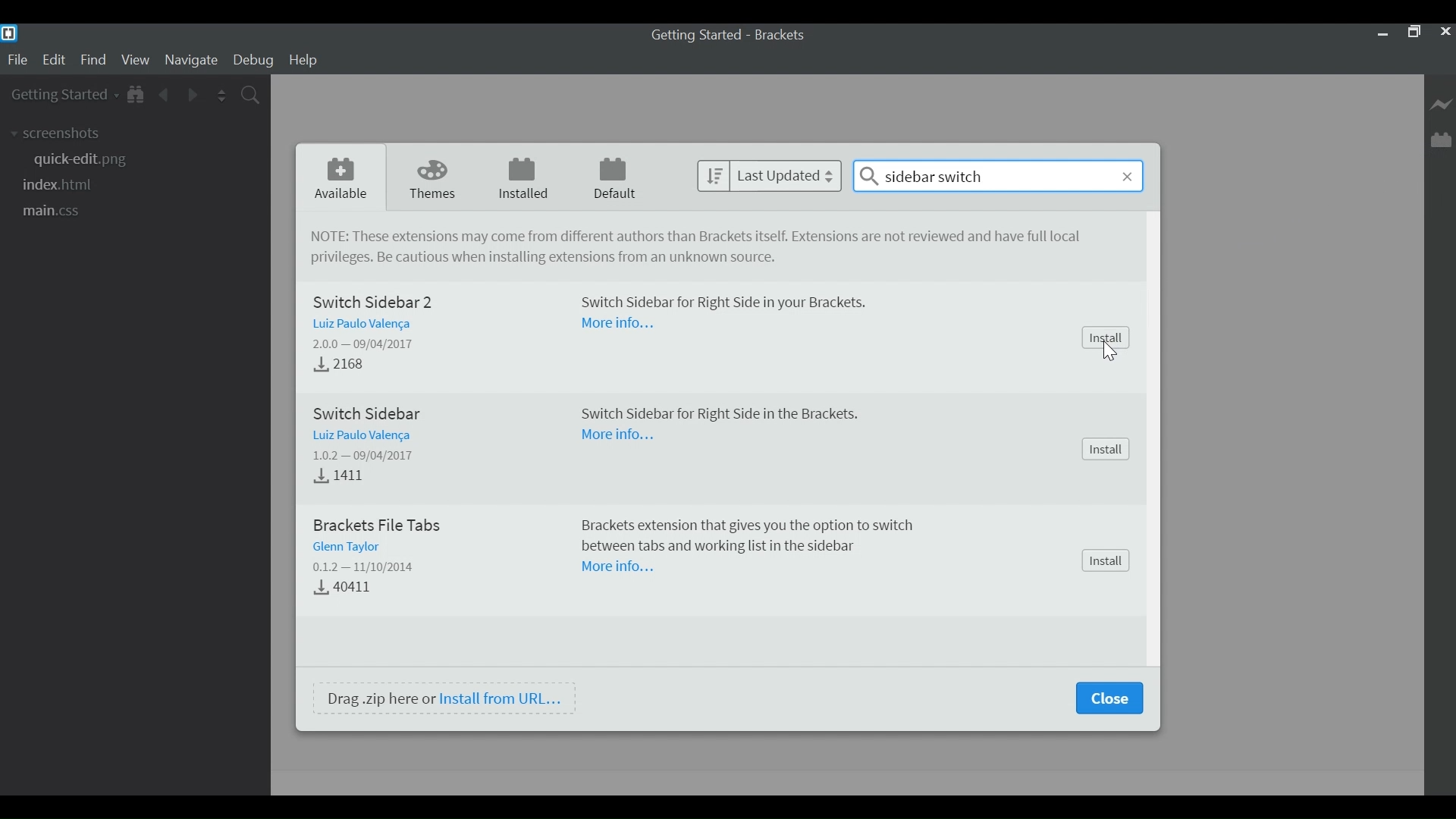 This screenshot has width=1456, height=819. What do you see at coordinates (343, 476) in the screenshot?
I see `Downloads` at bounding box center [343, 476].